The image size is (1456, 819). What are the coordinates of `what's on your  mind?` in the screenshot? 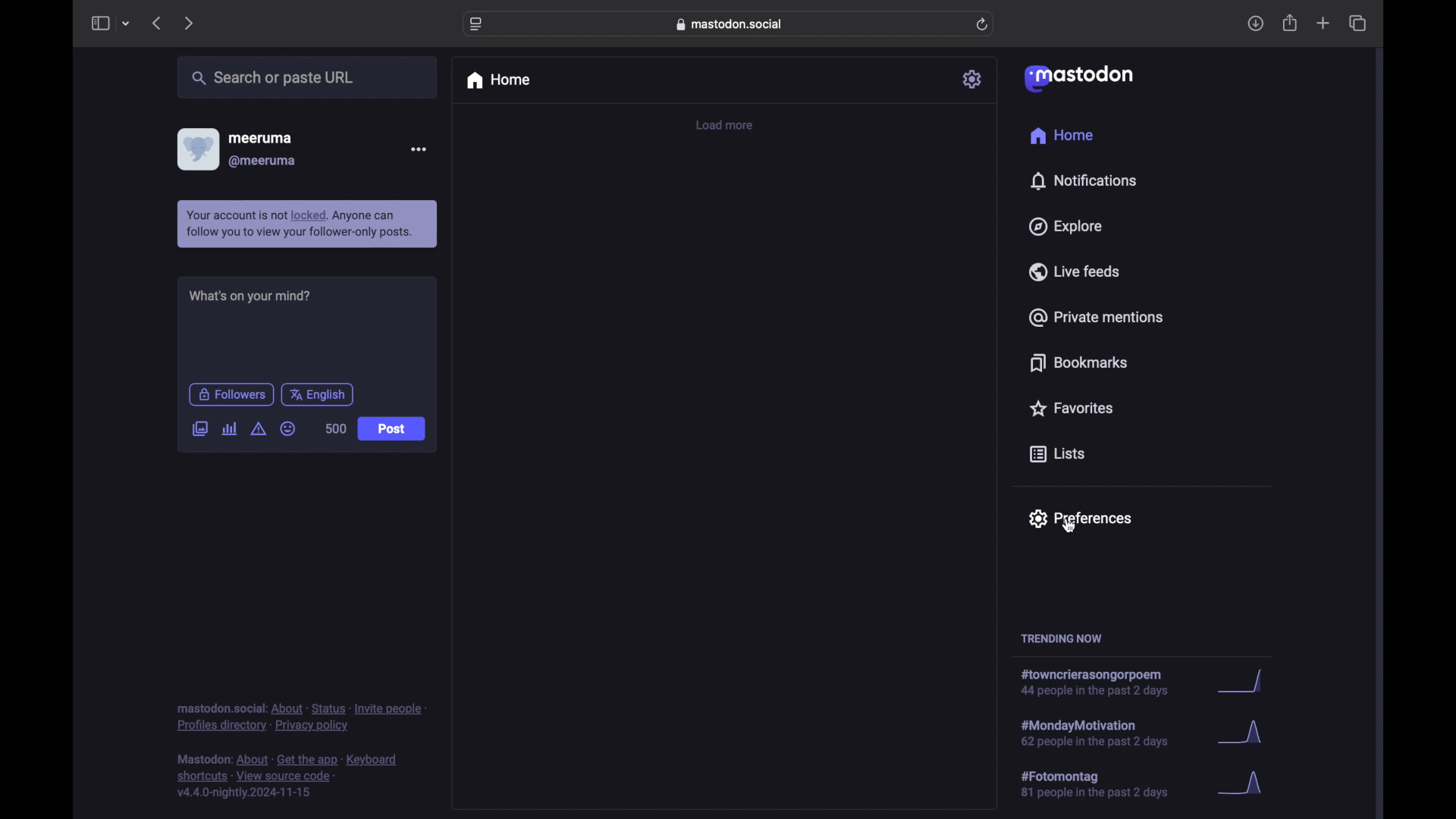 It's located at (250, 295).